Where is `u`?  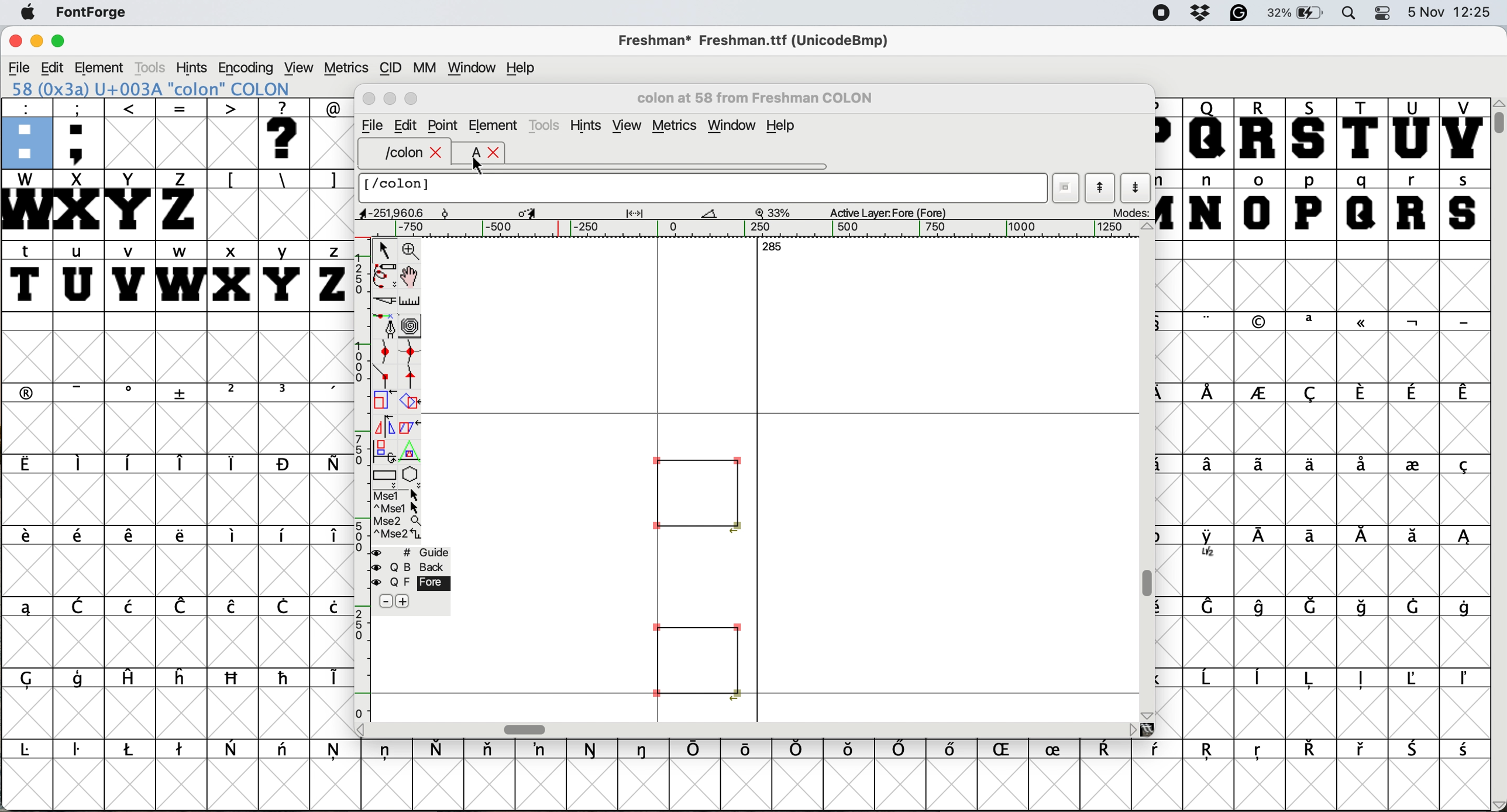
u is located at coordinates (78, 277).